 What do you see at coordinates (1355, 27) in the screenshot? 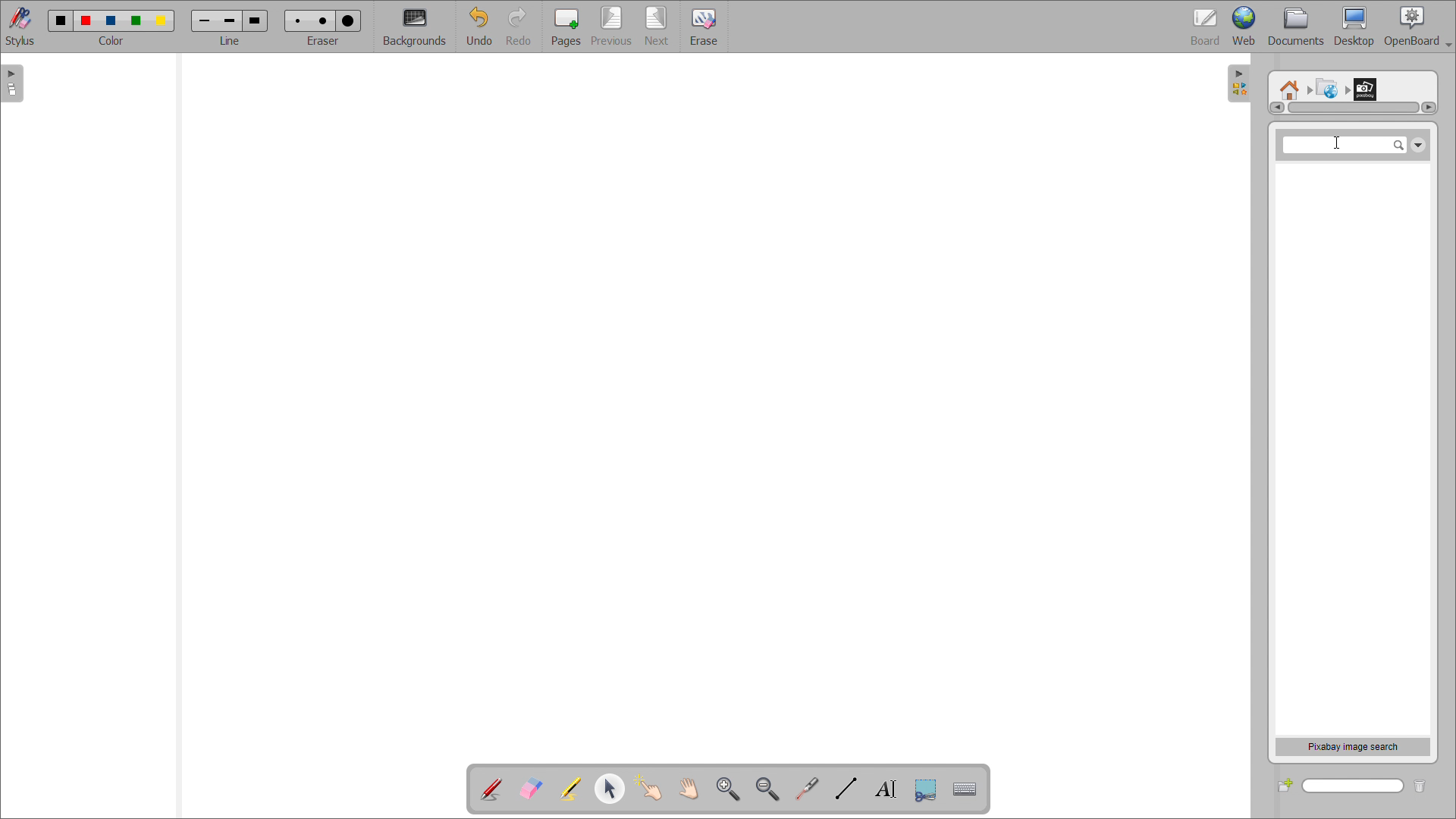
I see `desktop view` at bounding box center [1355, 27].